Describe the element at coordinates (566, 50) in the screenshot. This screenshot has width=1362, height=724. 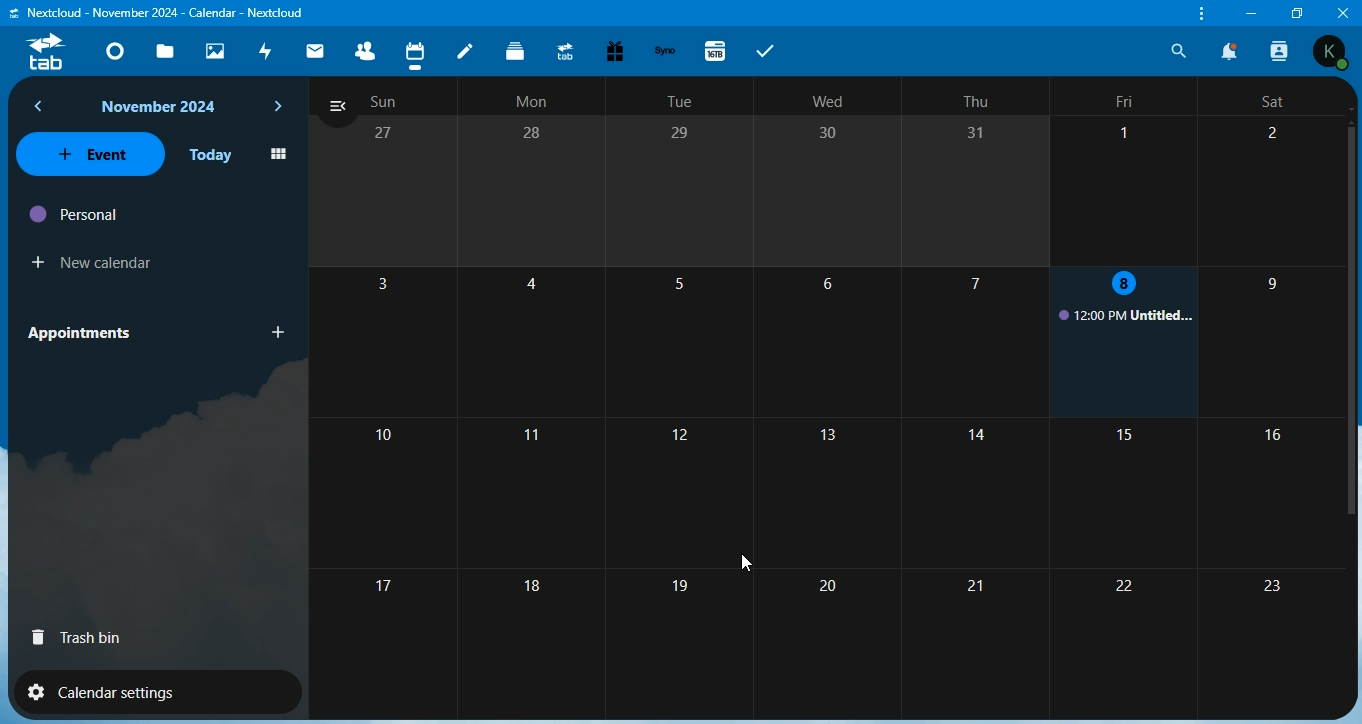
I see `upgrade` at that location.